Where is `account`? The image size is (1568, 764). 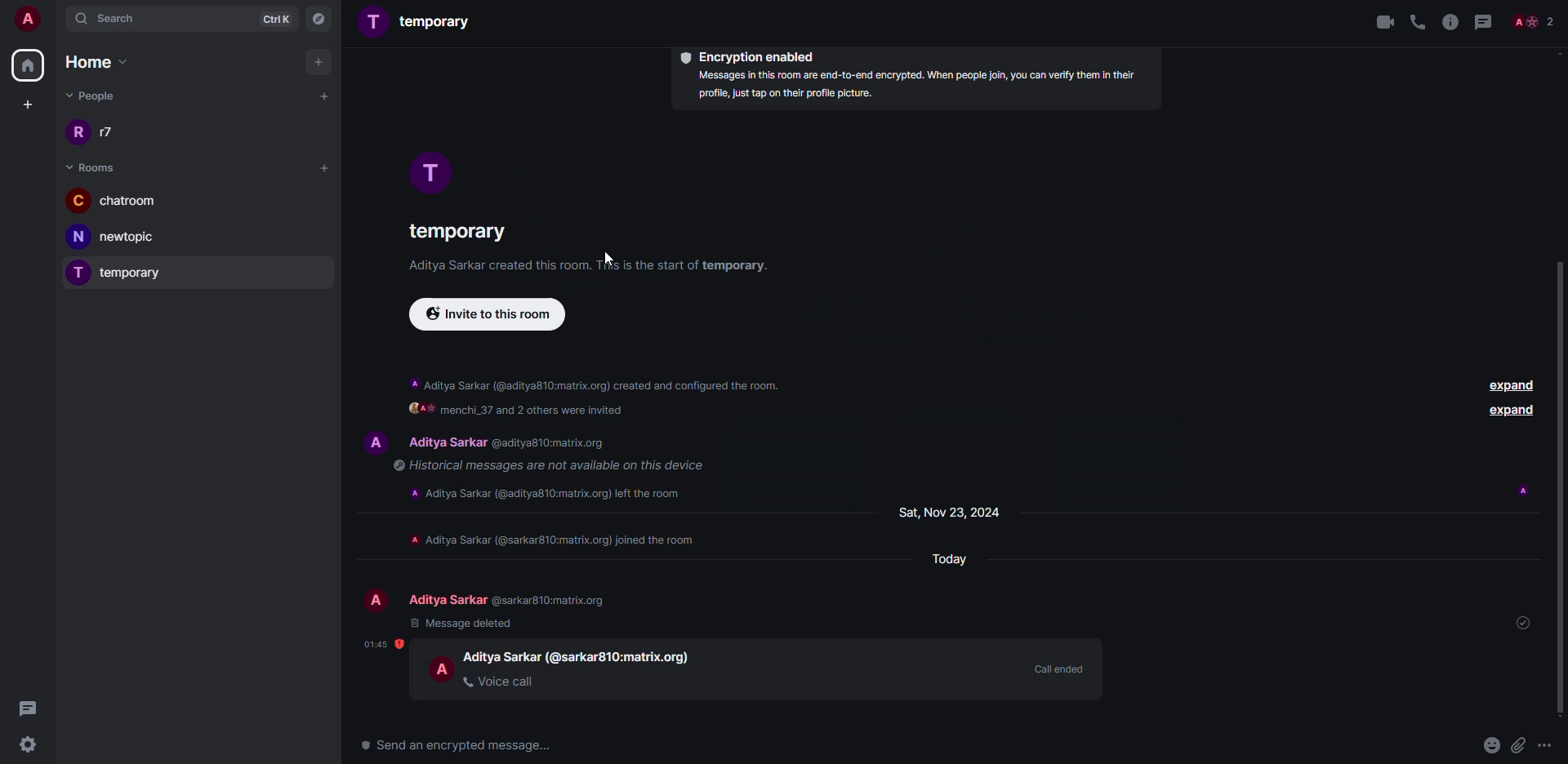 account is located at coordinates (26, 20).